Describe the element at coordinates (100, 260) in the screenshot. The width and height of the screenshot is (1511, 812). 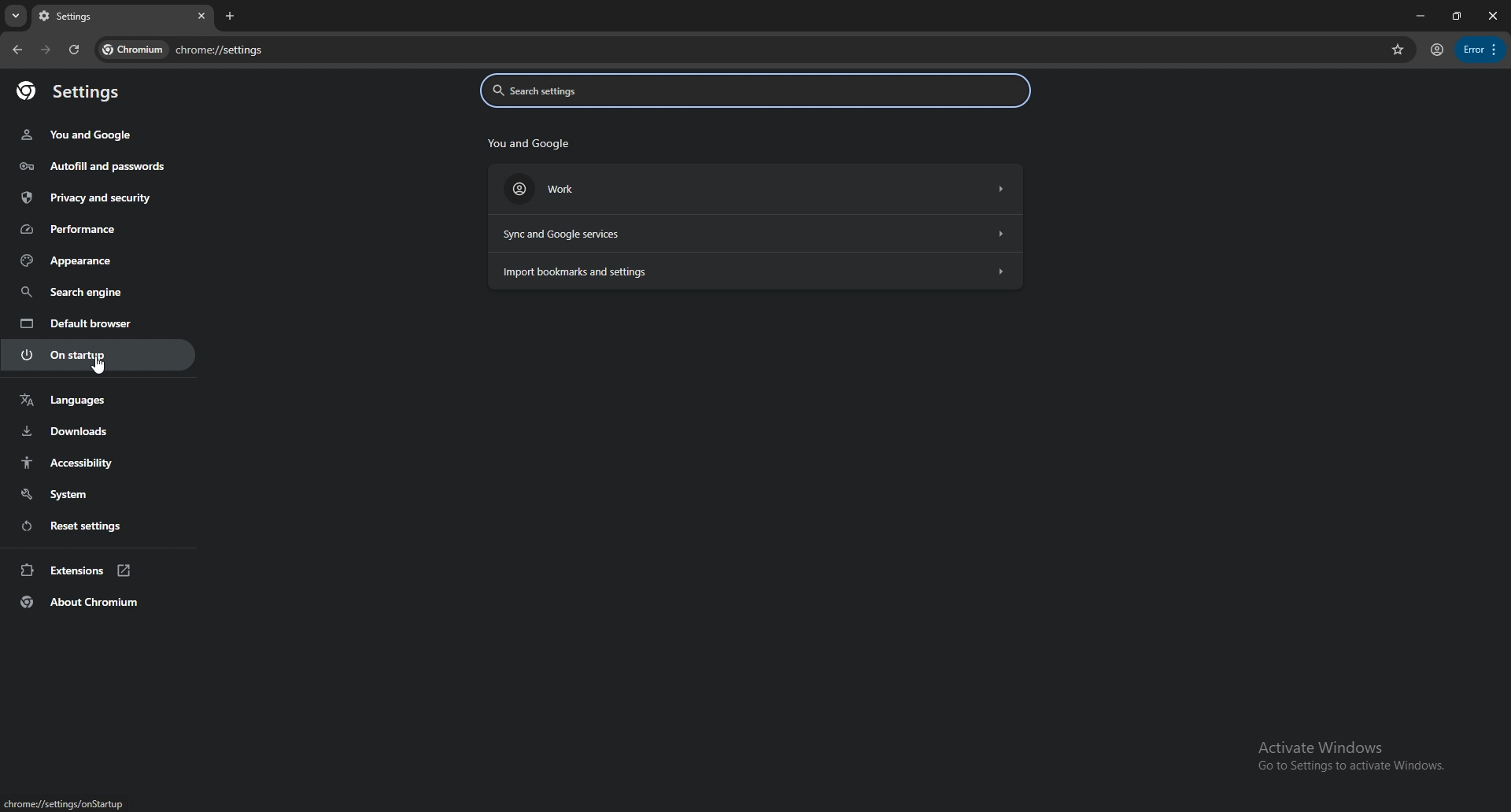
I see `appearance` at that location.